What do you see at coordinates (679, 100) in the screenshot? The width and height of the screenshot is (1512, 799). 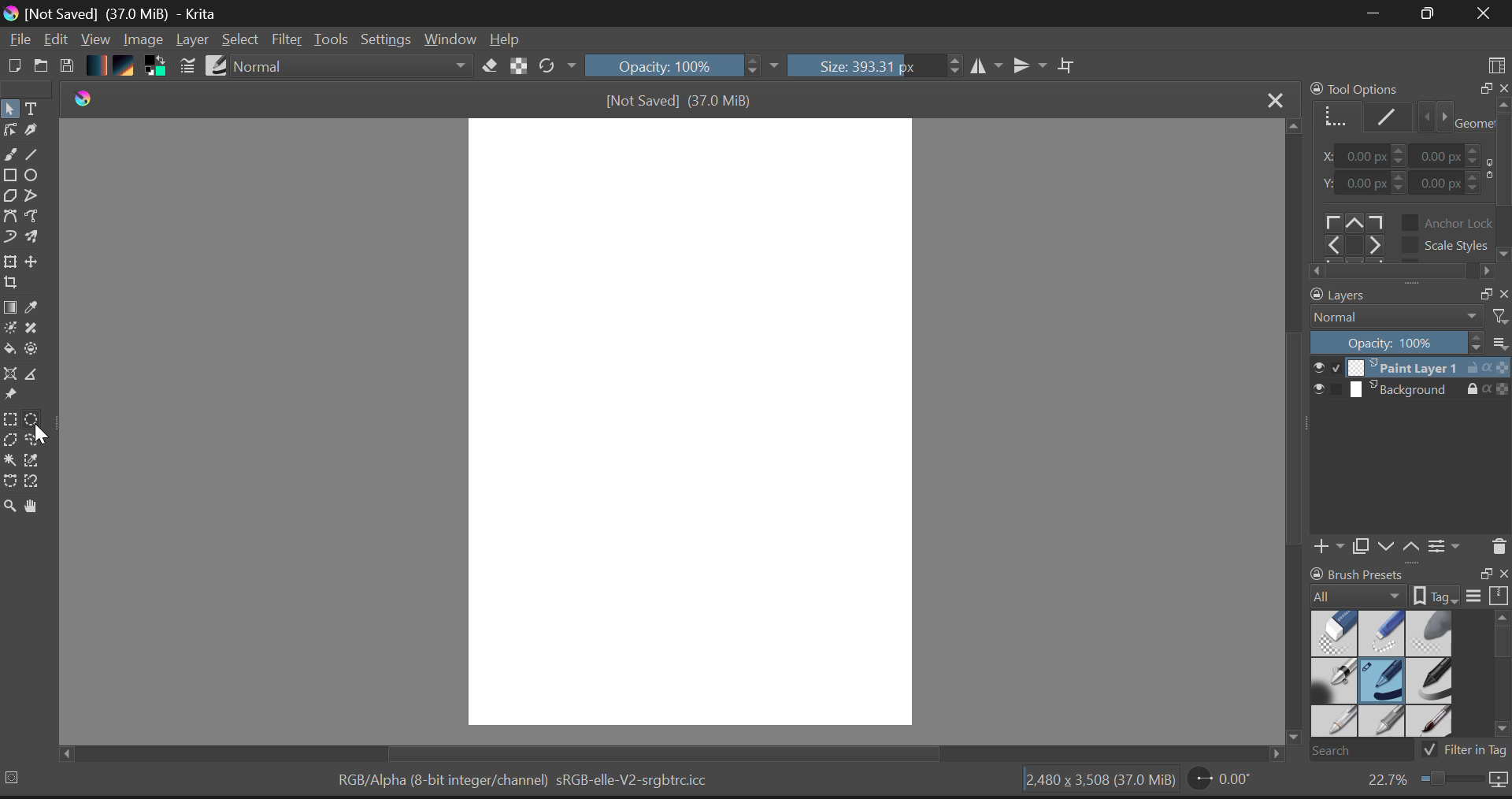 I see `File Name & size` at bounding box center [679, 100].